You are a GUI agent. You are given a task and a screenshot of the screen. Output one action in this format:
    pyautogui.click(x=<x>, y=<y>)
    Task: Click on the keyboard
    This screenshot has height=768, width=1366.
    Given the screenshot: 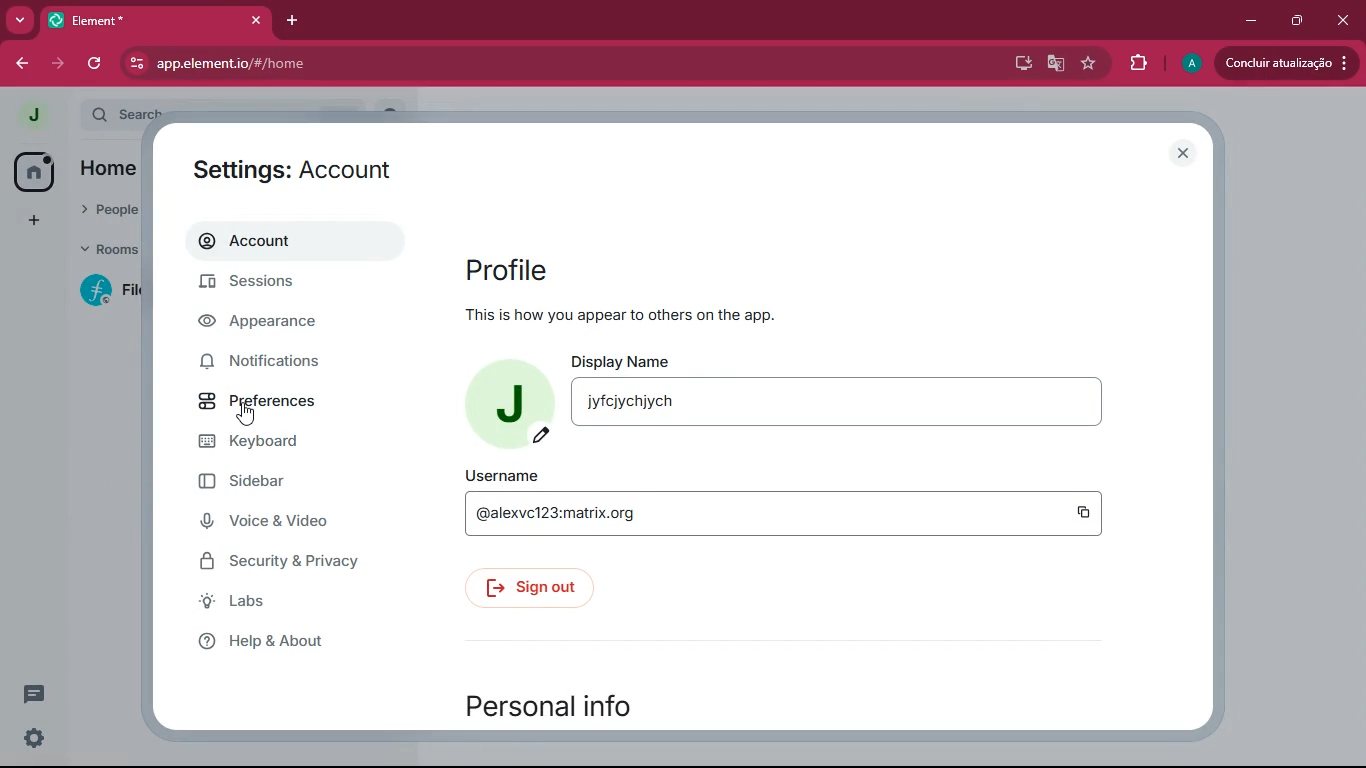 What is the action you would take?
    pyautogui.click(x=289, y=443)
    